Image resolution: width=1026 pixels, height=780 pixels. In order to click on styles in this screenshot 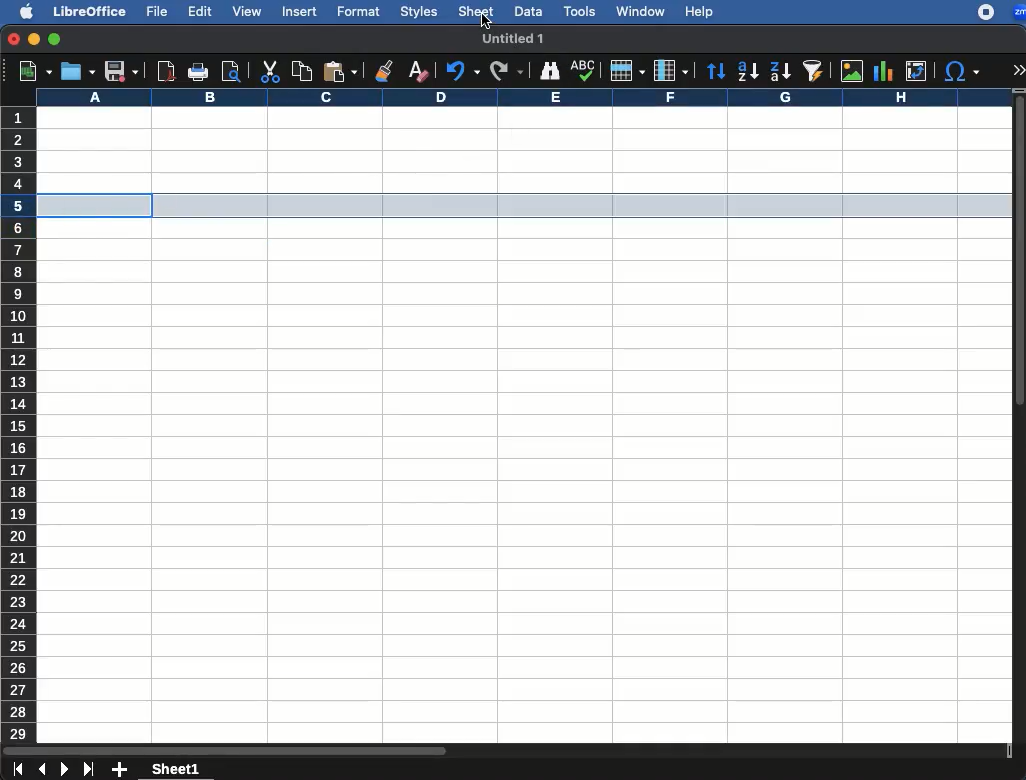, I will do `click(420, 12)`.